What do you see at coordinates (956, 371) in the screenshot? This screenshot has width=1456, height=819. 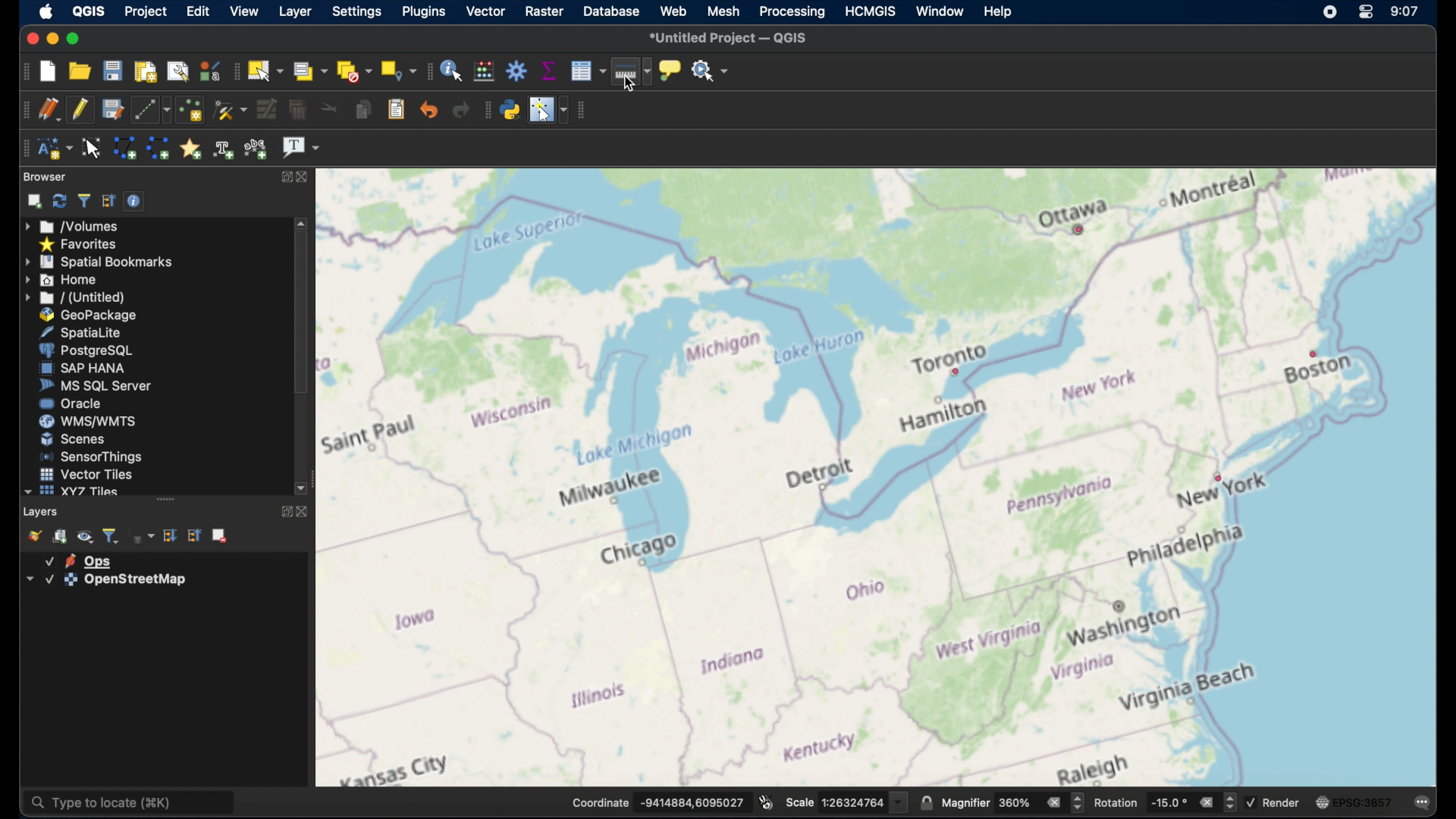 I see `point feature` at bounding box center [956, 371].